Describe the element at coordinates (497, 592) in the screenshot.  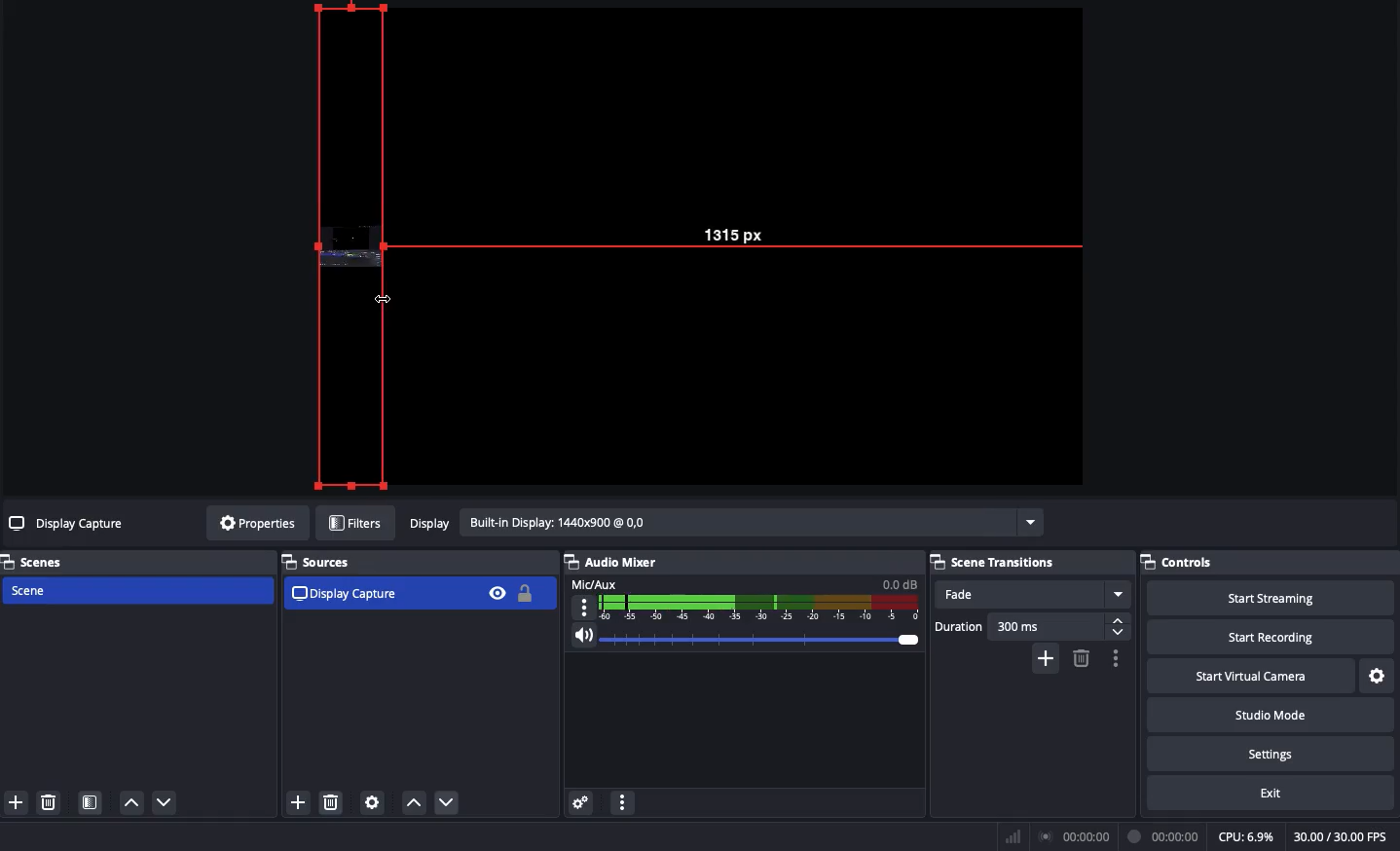
I see `Visible` at that location.